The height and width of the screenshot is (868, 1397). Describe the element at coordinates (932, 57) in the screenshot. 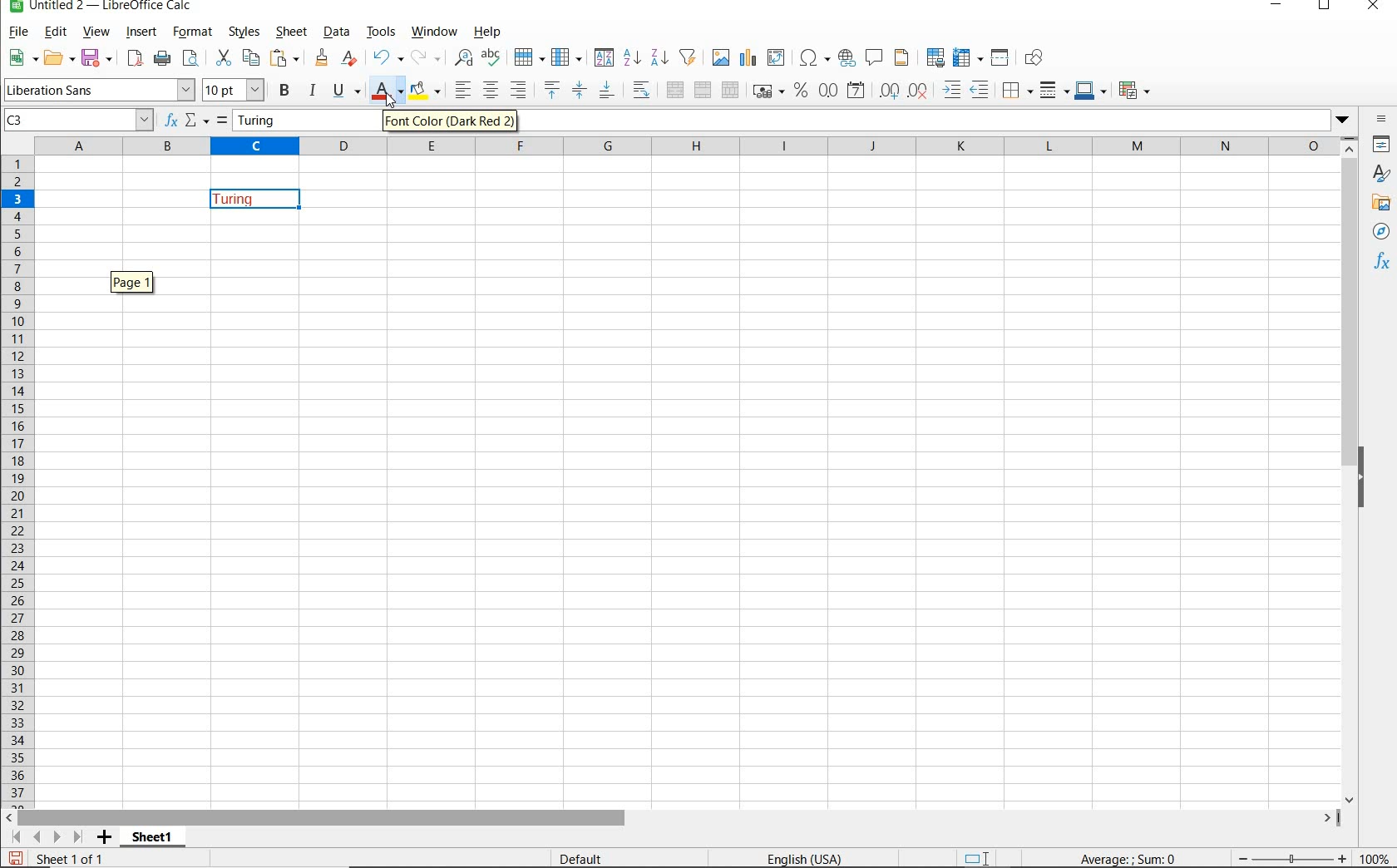

I see `DEFINE PRINT AREA` at that location.